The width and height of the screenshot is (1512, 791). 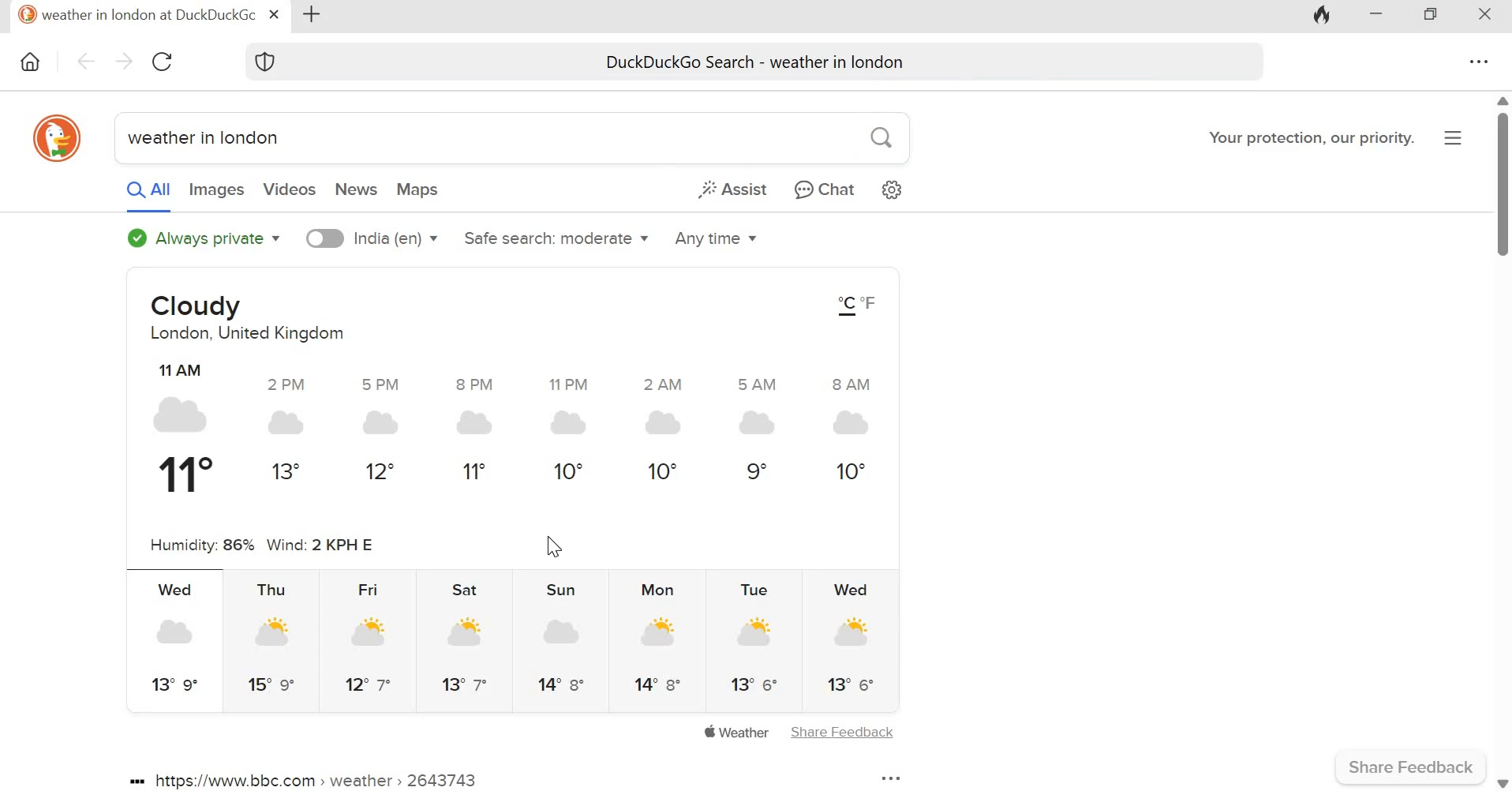 I want to click on DuckDuckGo search - weather in london, so click(x=769, y=62).